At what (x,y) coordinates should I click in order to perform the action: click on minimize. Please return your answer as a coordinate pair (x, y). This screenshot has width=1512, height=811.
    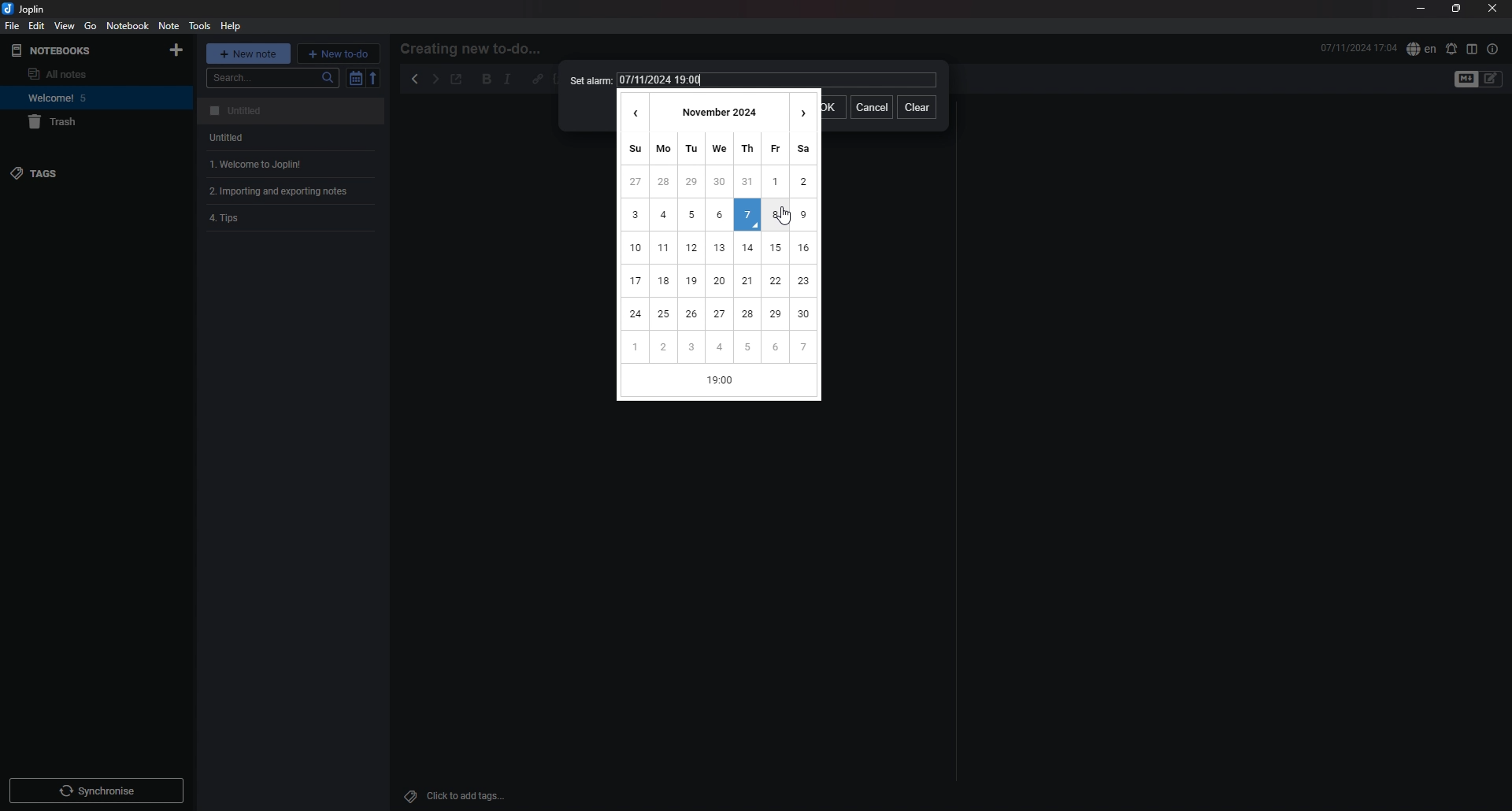
    Looking at the image, I should click on (1419, 8).